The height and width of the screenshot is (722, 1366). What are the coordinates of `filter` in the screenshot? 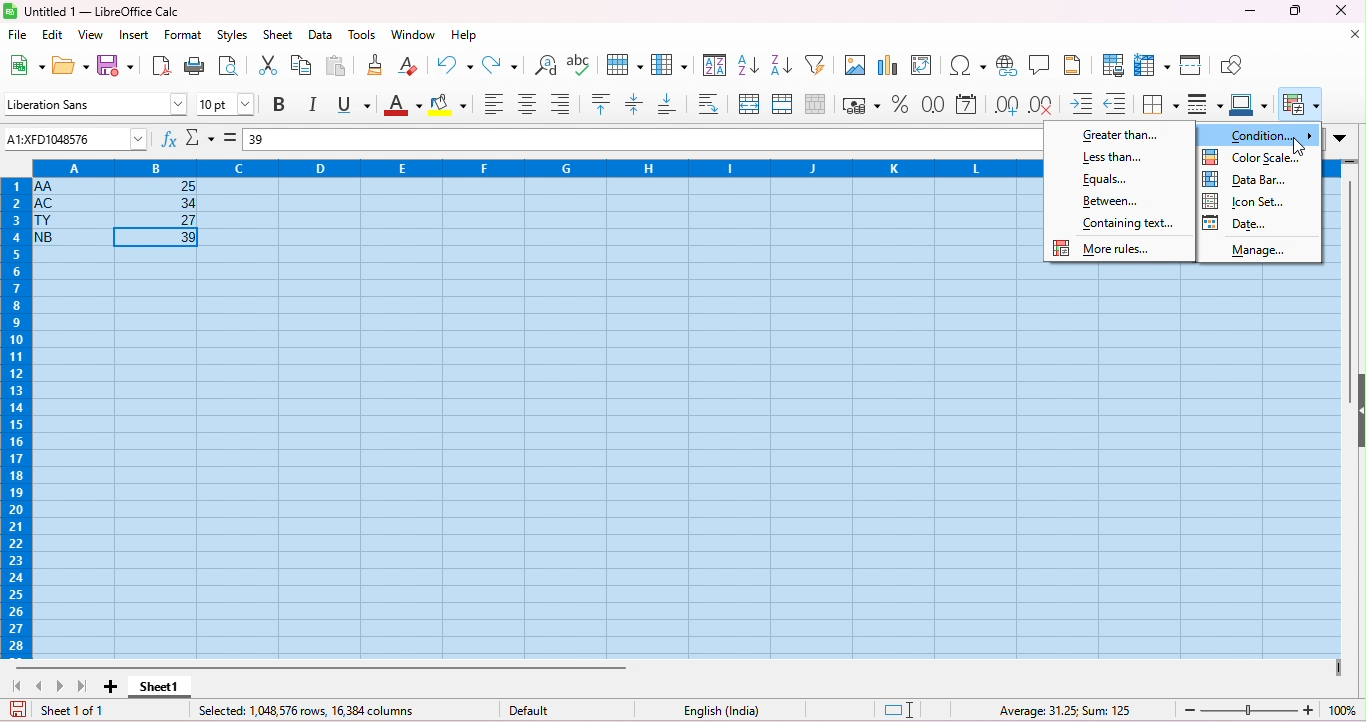 It's located at (819, 64).